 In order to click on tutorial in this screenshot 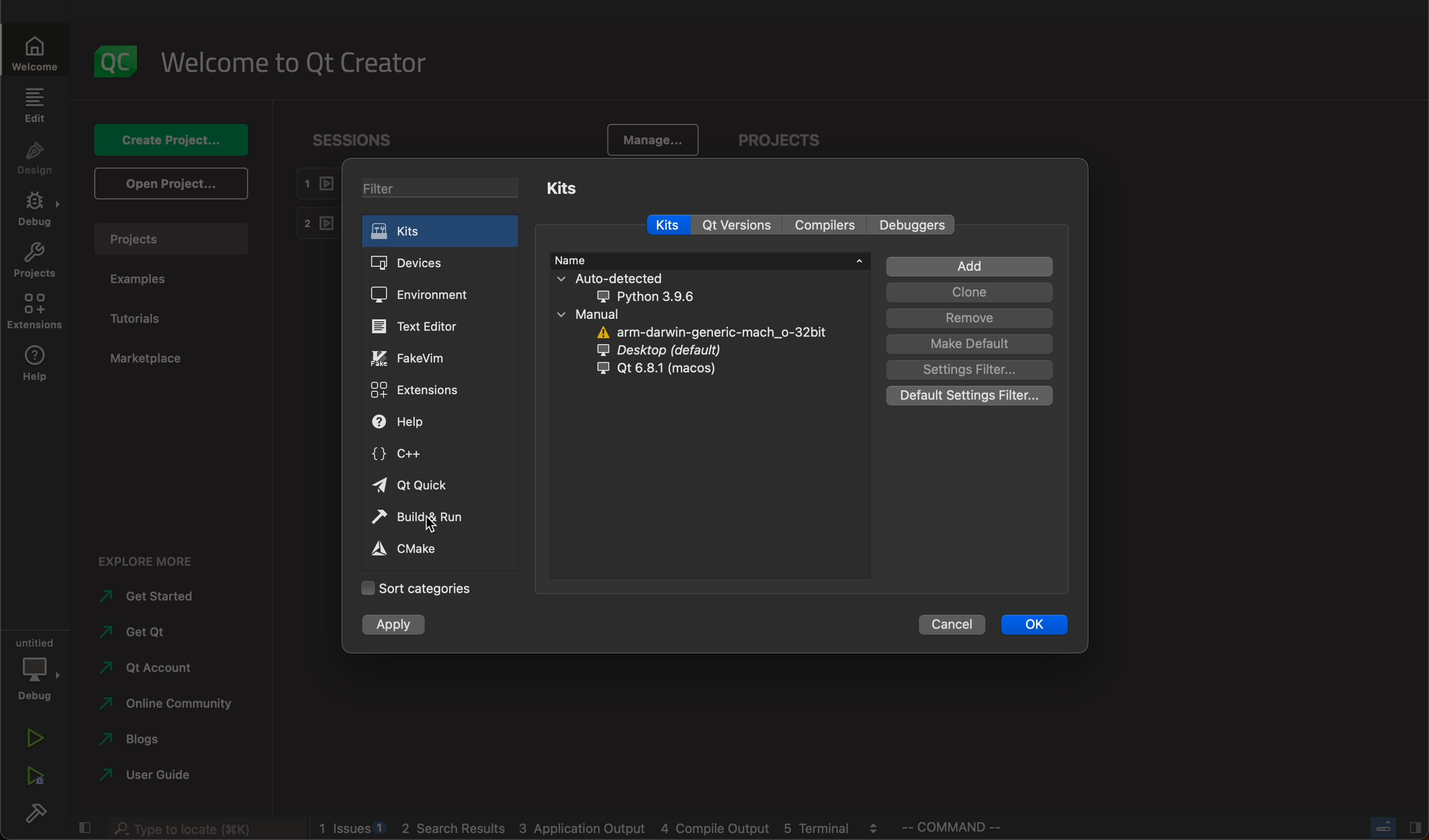, I will do `click(139, 317)`.